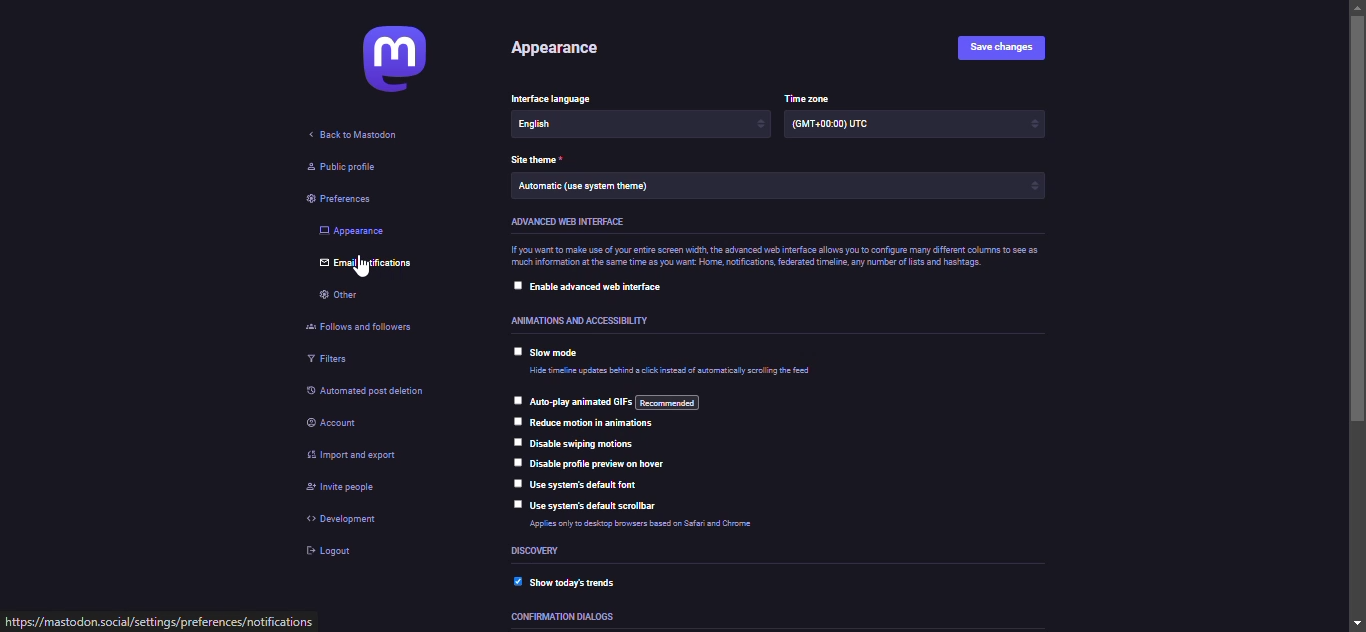 This screenshot has height=632, width=1366. Describe the element at coordinates (383, 393) in the screenshot. I see `automated post deletion` at that location.